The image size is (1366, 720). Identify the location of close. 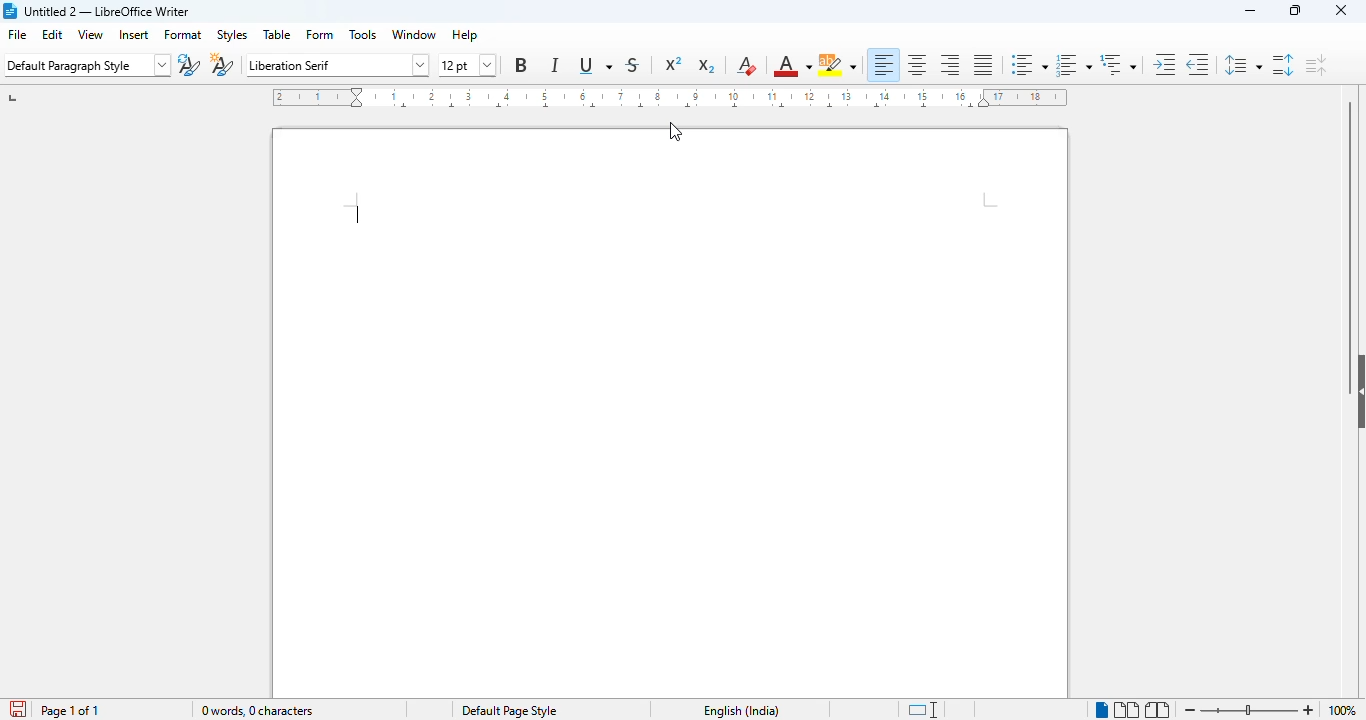
(1340, 10).